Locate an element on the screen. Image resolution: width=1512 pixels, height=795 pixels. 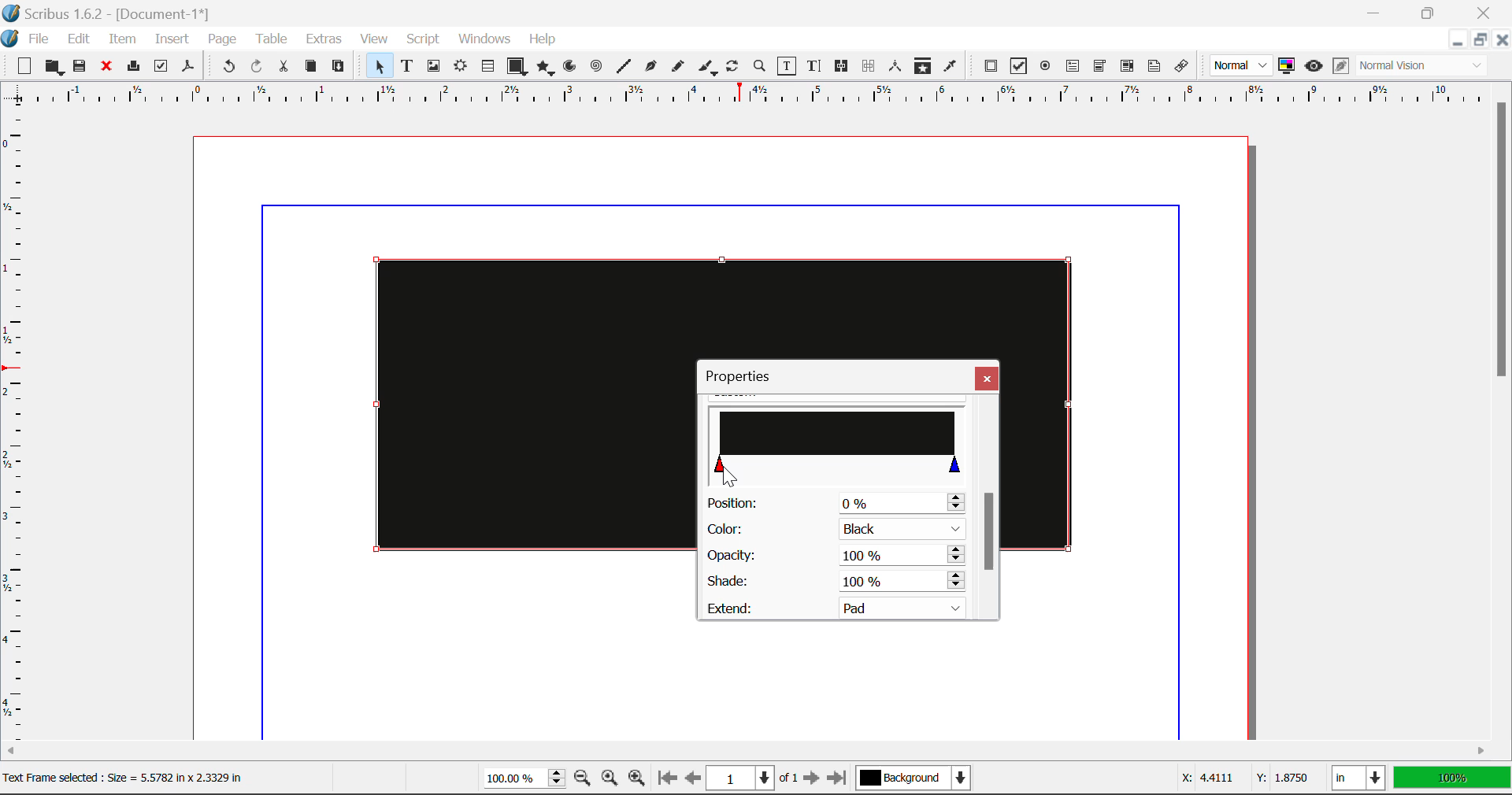
Restore Down is located at coordinates (1456, 40).